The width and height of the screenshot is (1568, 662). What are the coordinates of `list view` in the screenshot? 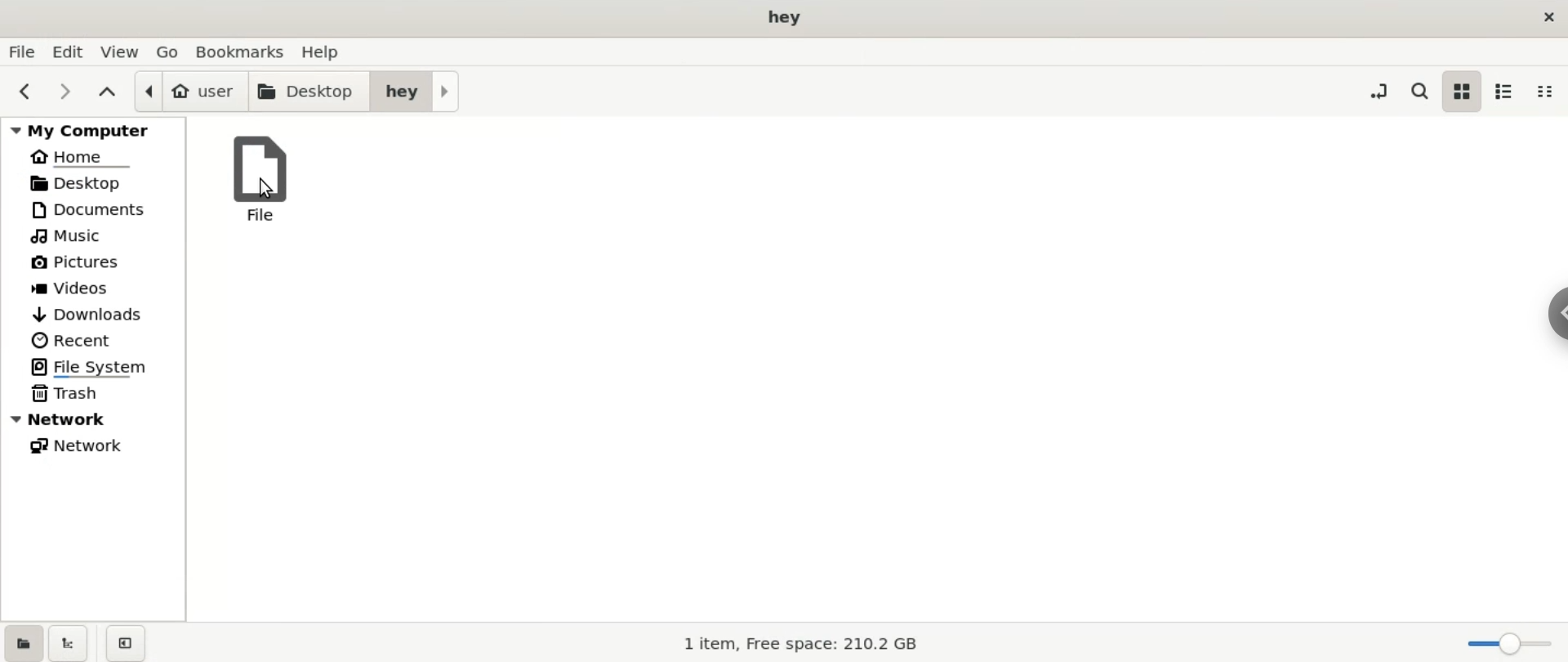 It's located at (1508, 92).